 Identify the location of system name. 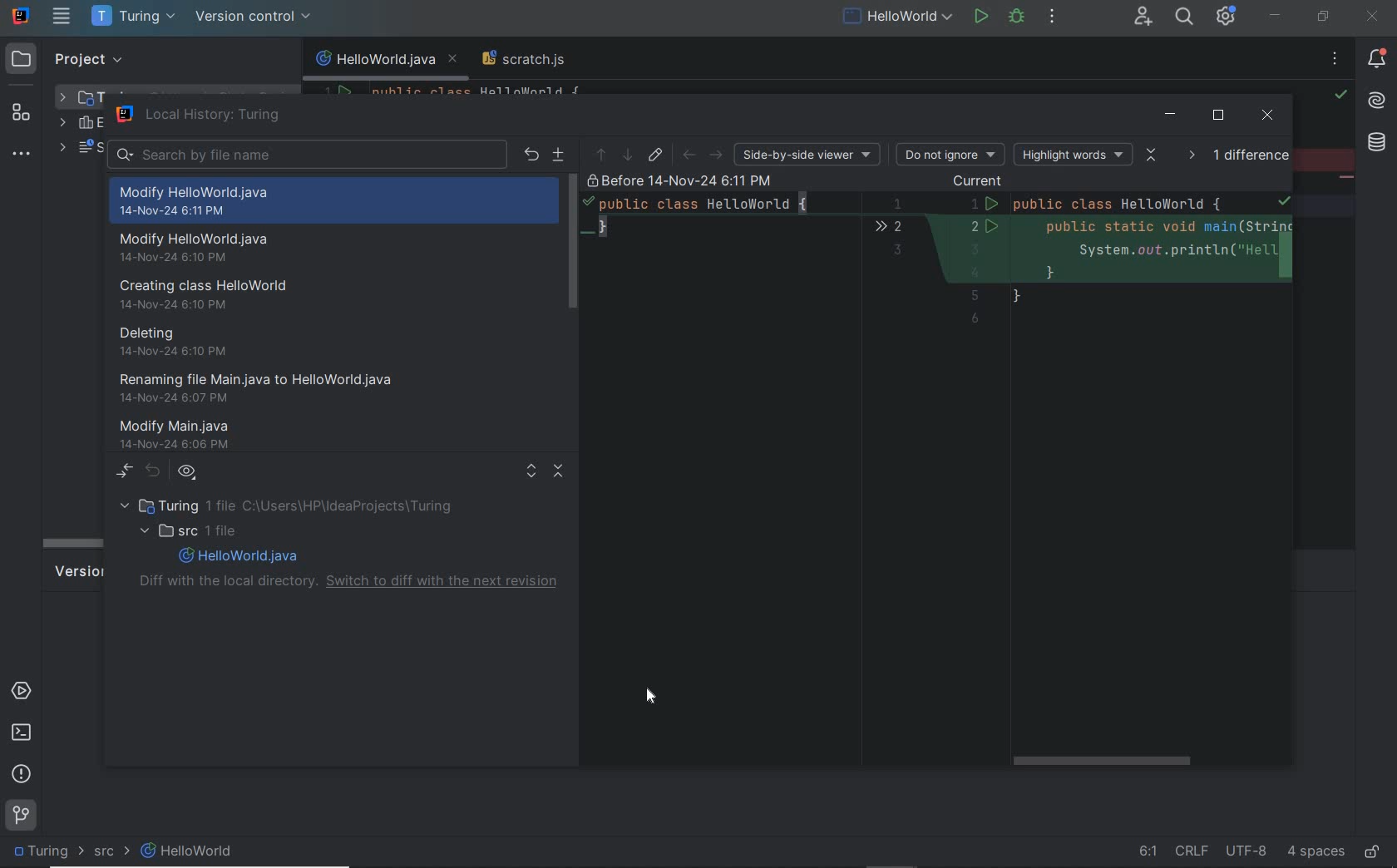
(19, 16).